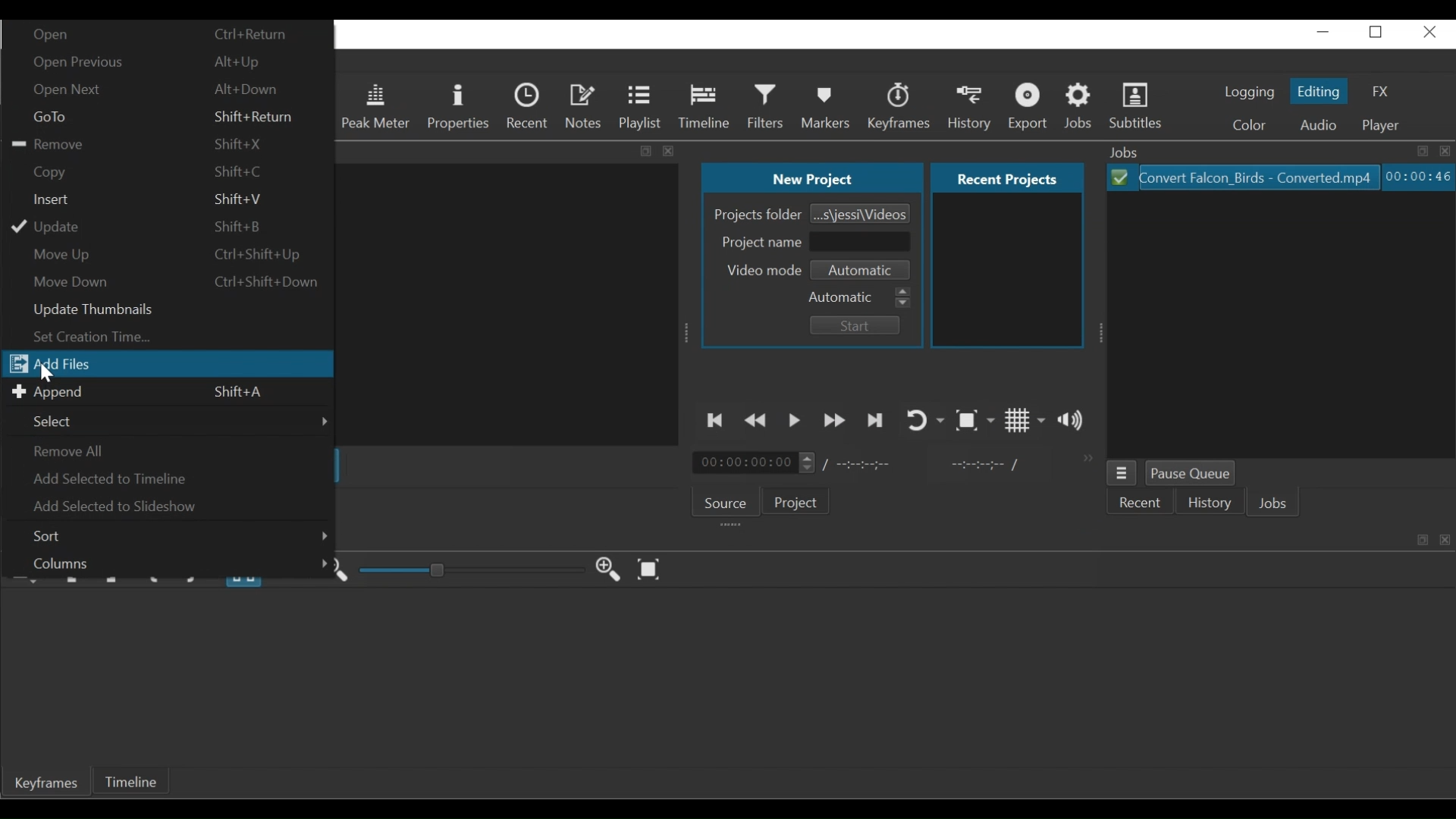 This screenshot has width=1456, height=819. What do you see at coordinates (1191, 473) in the screenshot?
I see `Pause Queue` at bounding box center [1191, 473].